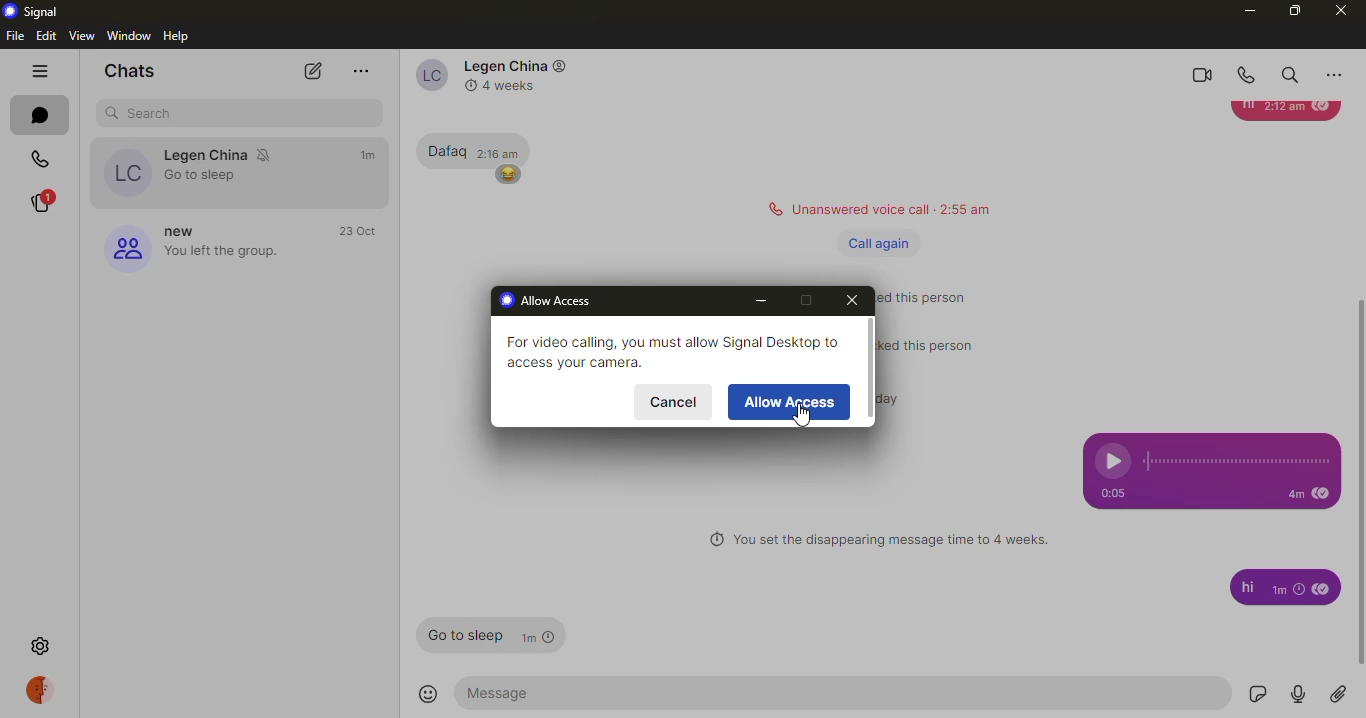 This screenshot has width=1366, height=718. I want to click on emoji, so click(506, 175).